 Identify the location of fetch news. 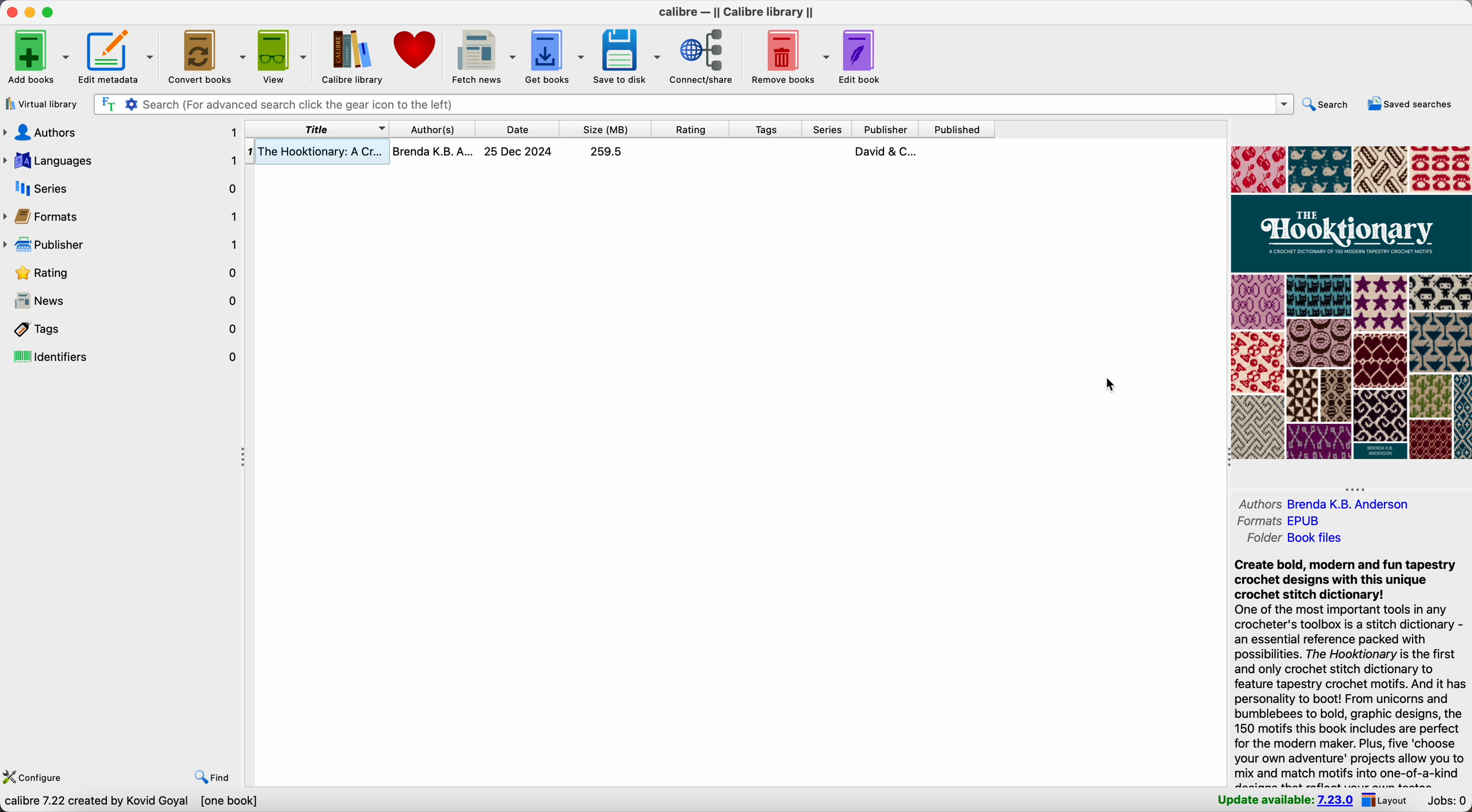
(482, 55).